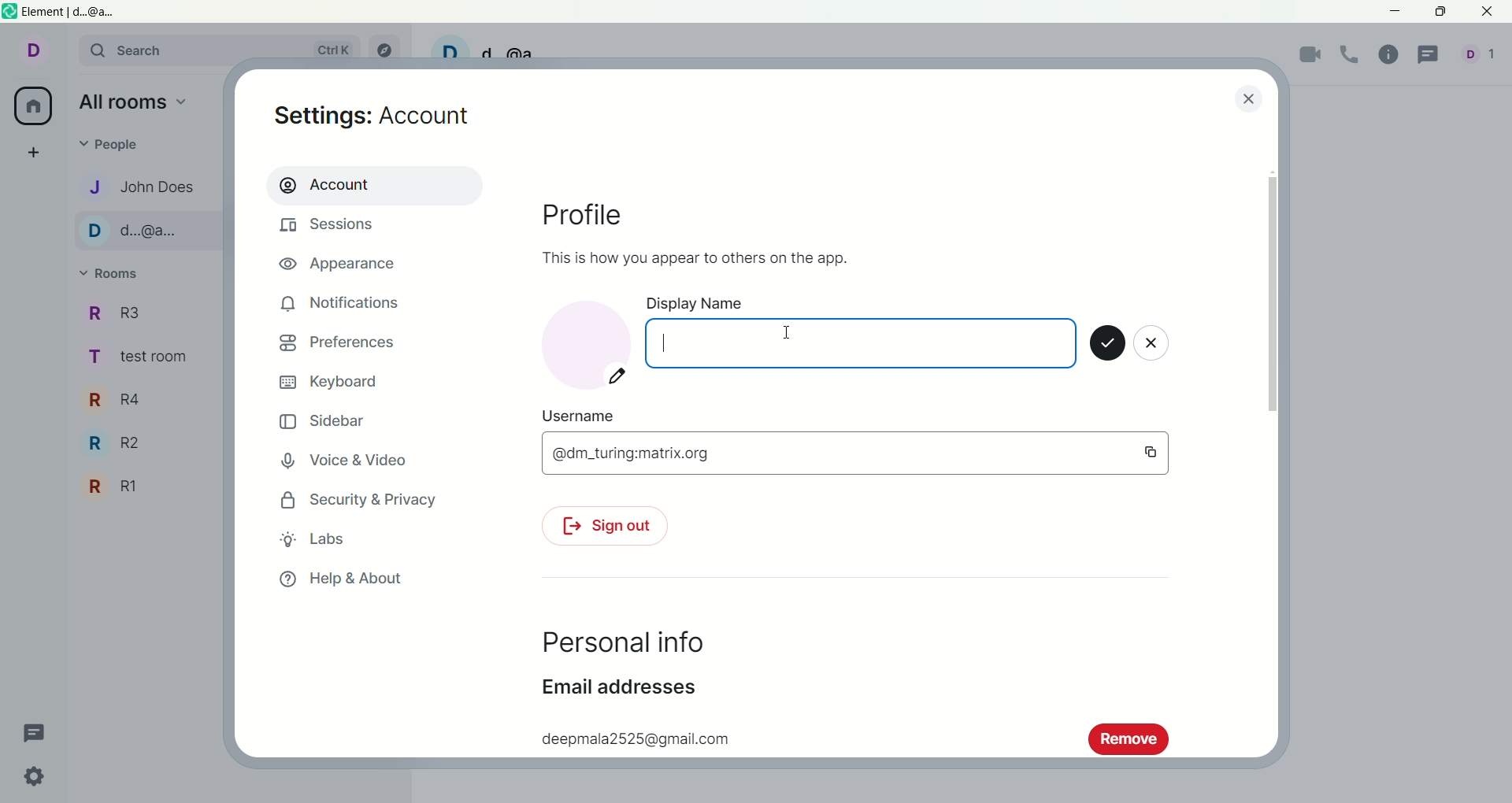 The width and height of the screenshot is (1512, 803). I want to click on people, so click(120, 146).